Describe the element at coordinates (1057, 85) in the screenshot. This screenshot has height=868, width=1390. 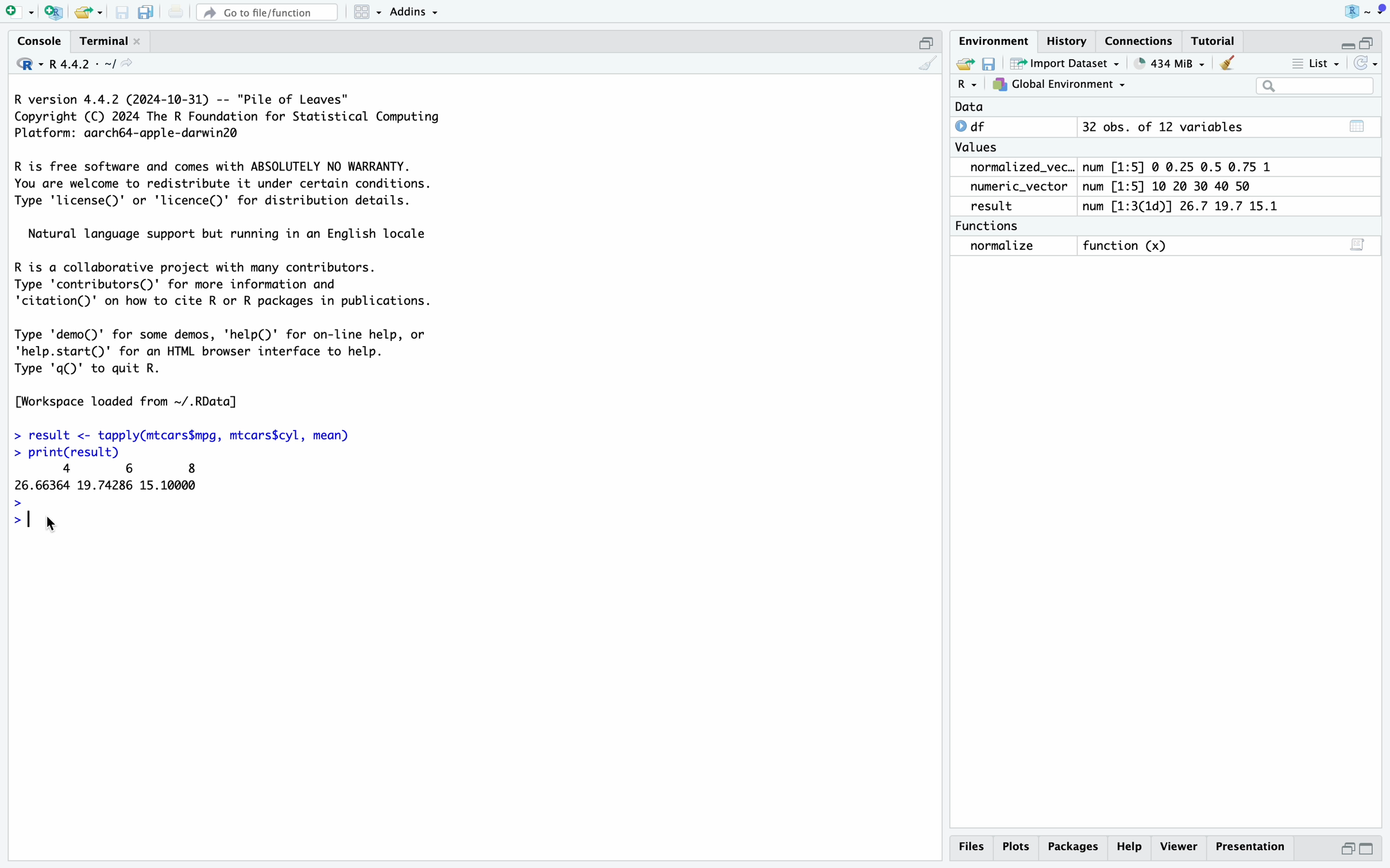
I see `Global Environment` at that location.